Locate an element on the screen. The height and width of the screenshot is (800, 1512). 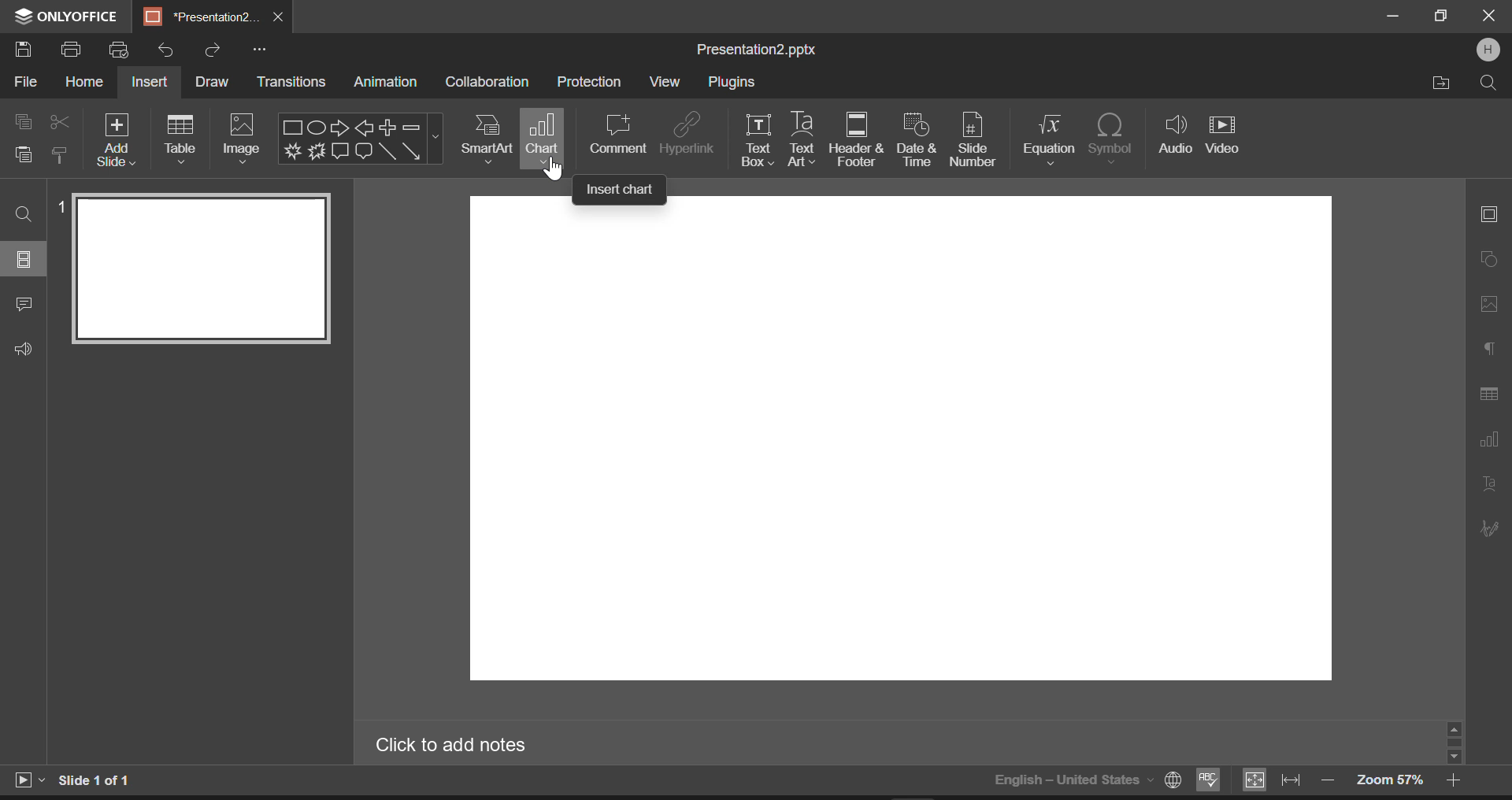
Minimize is located at coordinates (1443, 17).